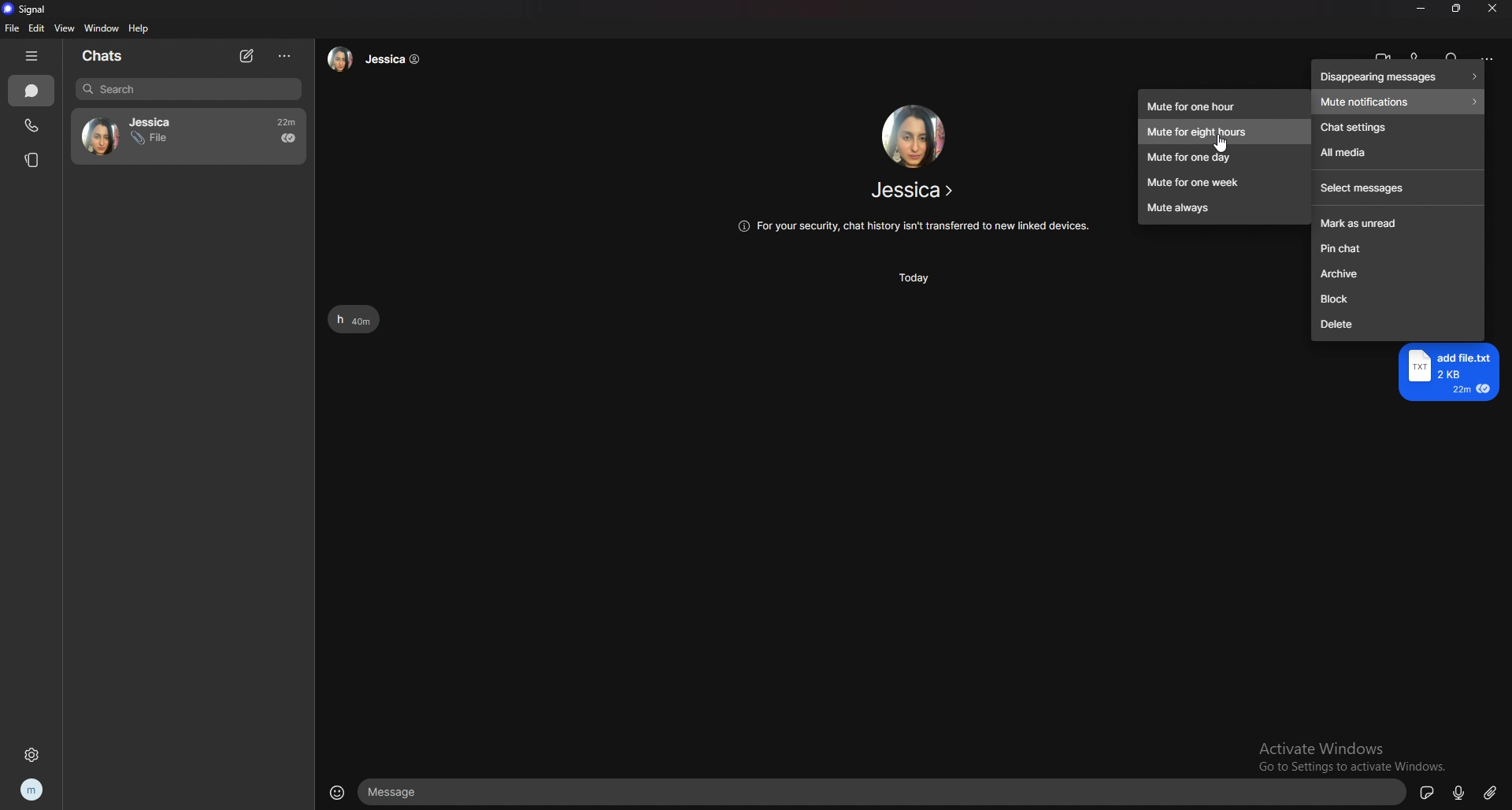 The width and height of the screenshot is (1512, 810). Describe the element at coordinates (33, 162) in the screenshot. I see `stories` at that location.